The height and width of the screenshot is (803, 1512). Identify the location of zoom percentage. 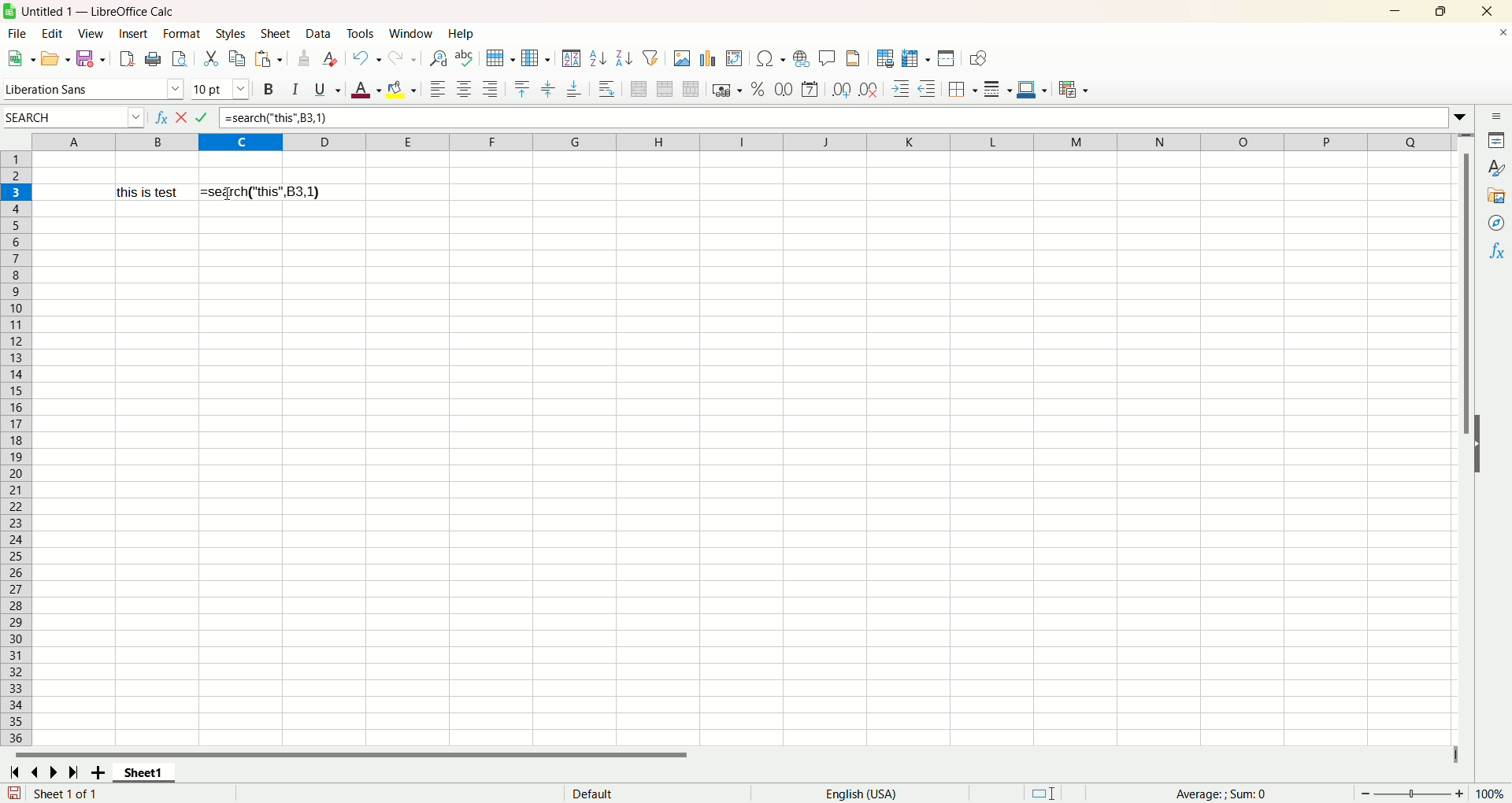
(1492, 794).